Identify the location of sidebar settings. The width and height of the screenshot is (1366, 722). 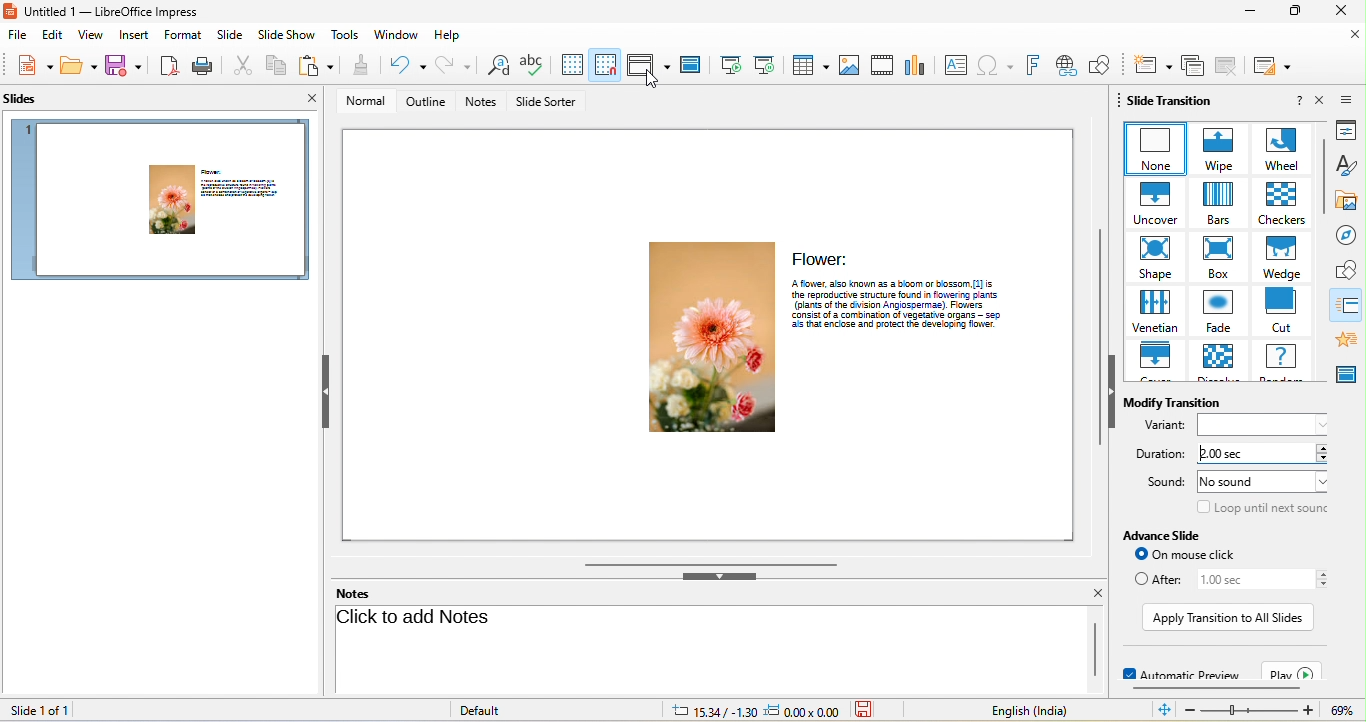
(1351, 98).